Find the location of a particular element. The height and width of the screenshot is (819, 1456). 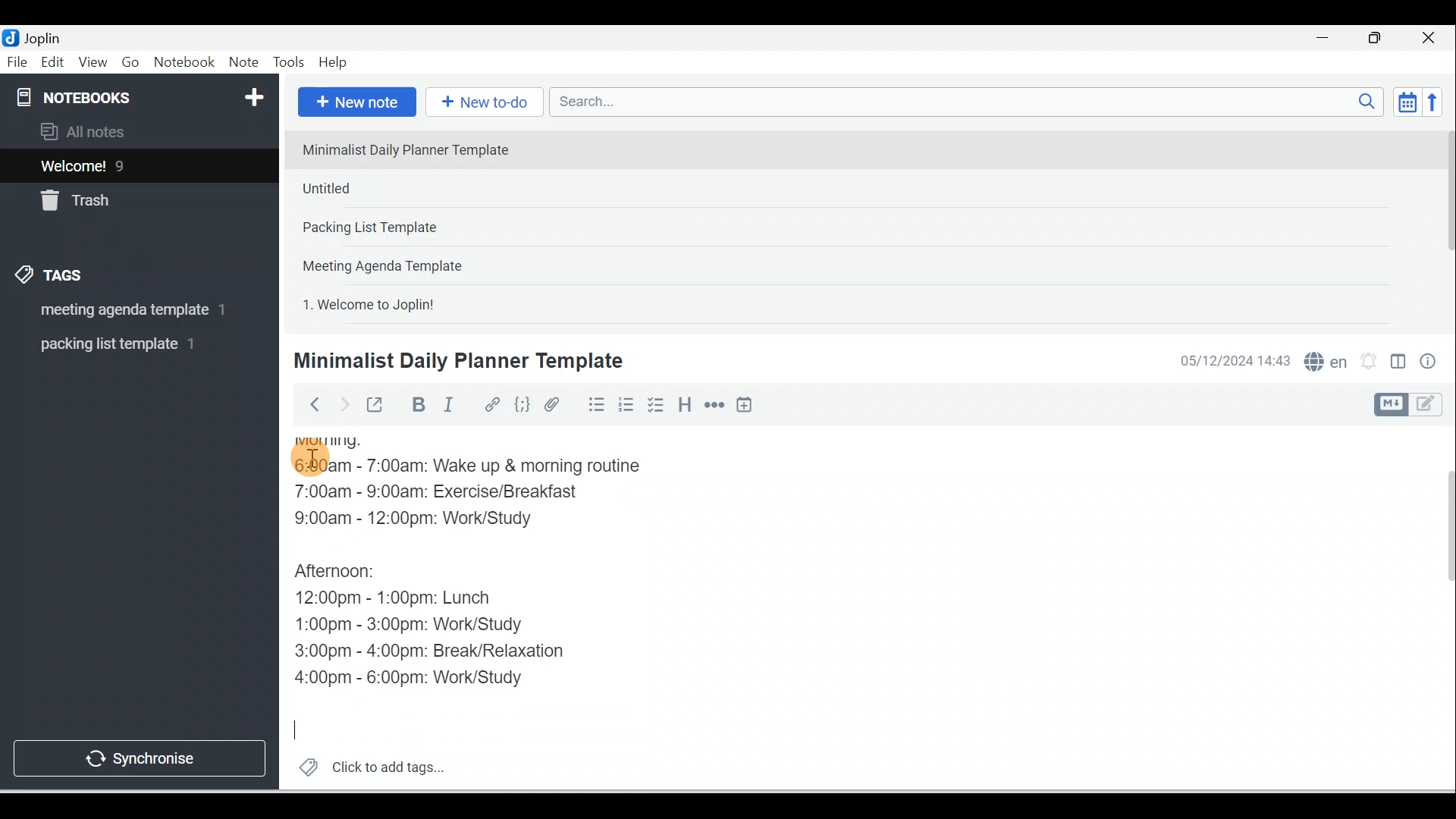

Hyperlink is located at coordinates (491, 406).